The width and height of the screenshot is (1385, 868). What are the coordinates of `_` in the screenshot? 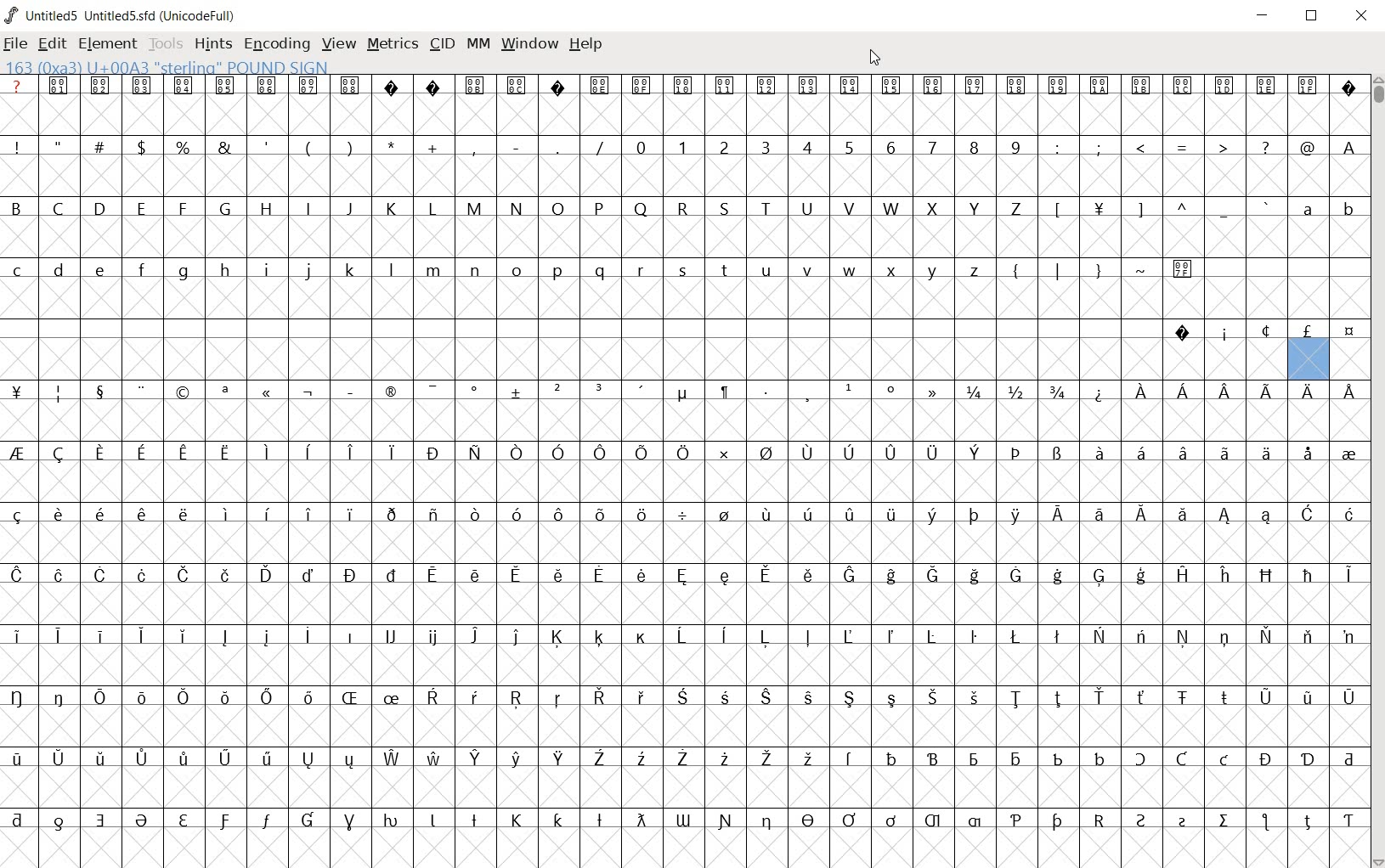 It's located at (1224, 210).